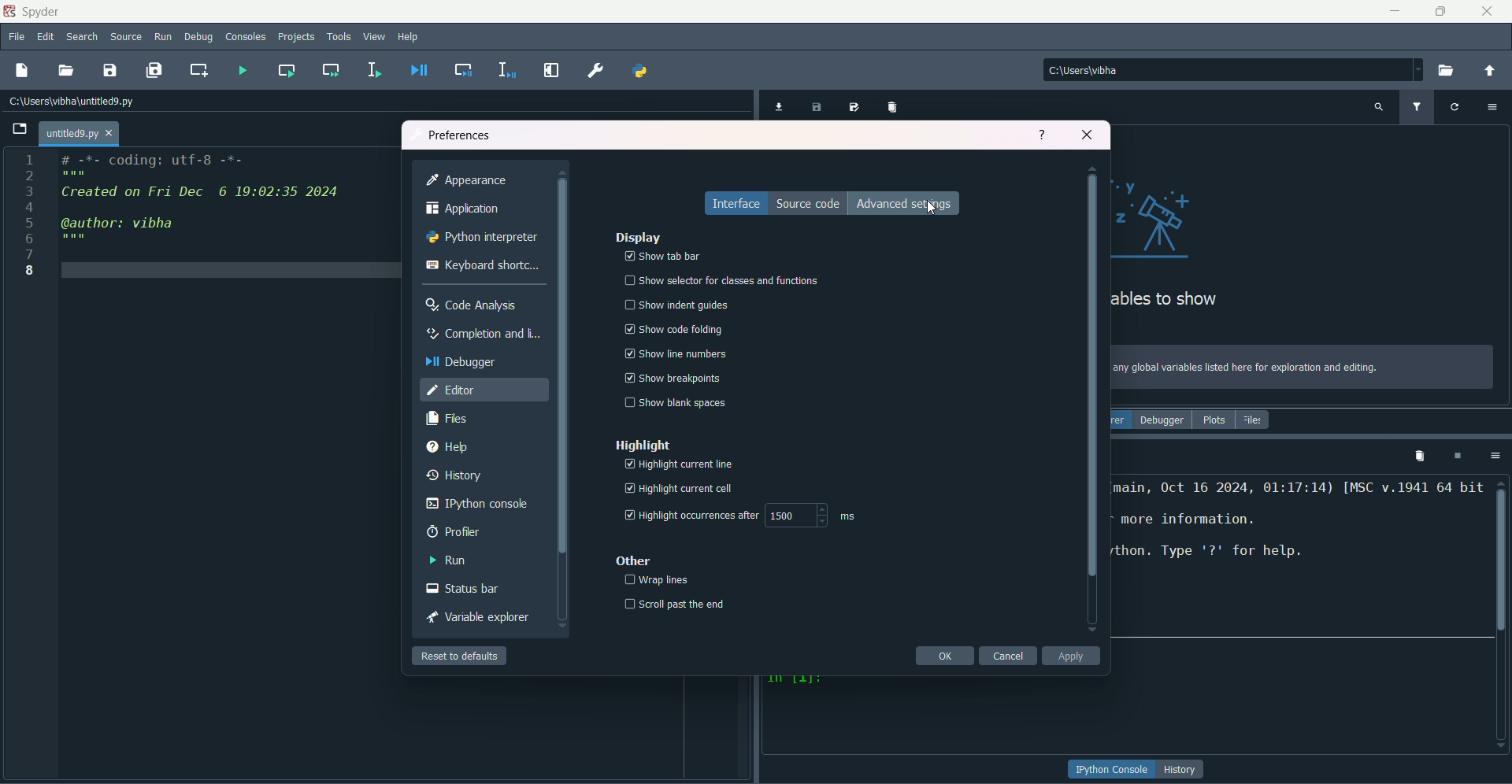  Describe the element at coordinates (1009, 657) in the screenshot. I see `cancel` at that location.